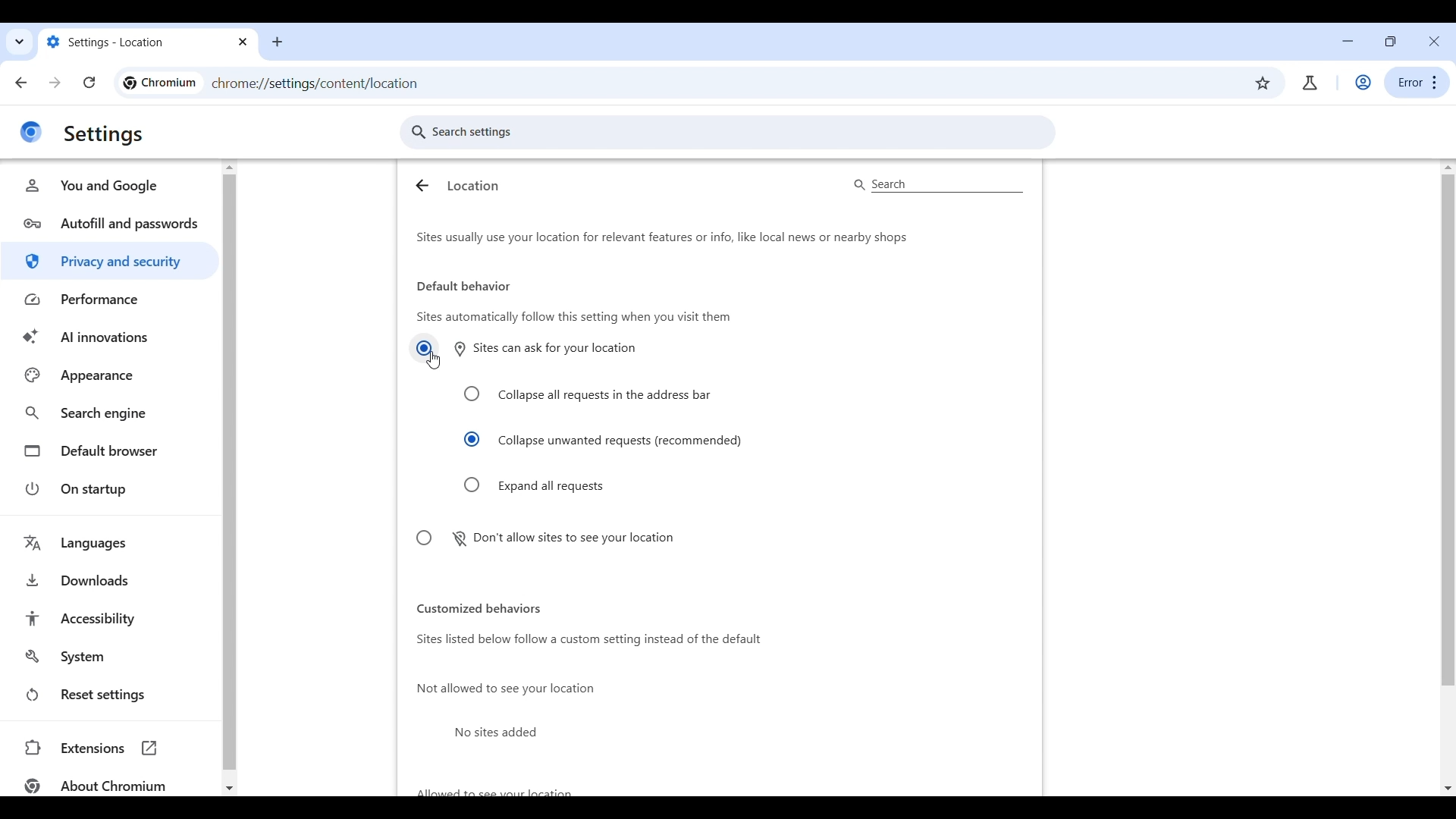 The height and width of the screenshot is (819, 1456). Describe the element at coordinates (244, 42) in the screenshot. I see `Close current tab` at that location.